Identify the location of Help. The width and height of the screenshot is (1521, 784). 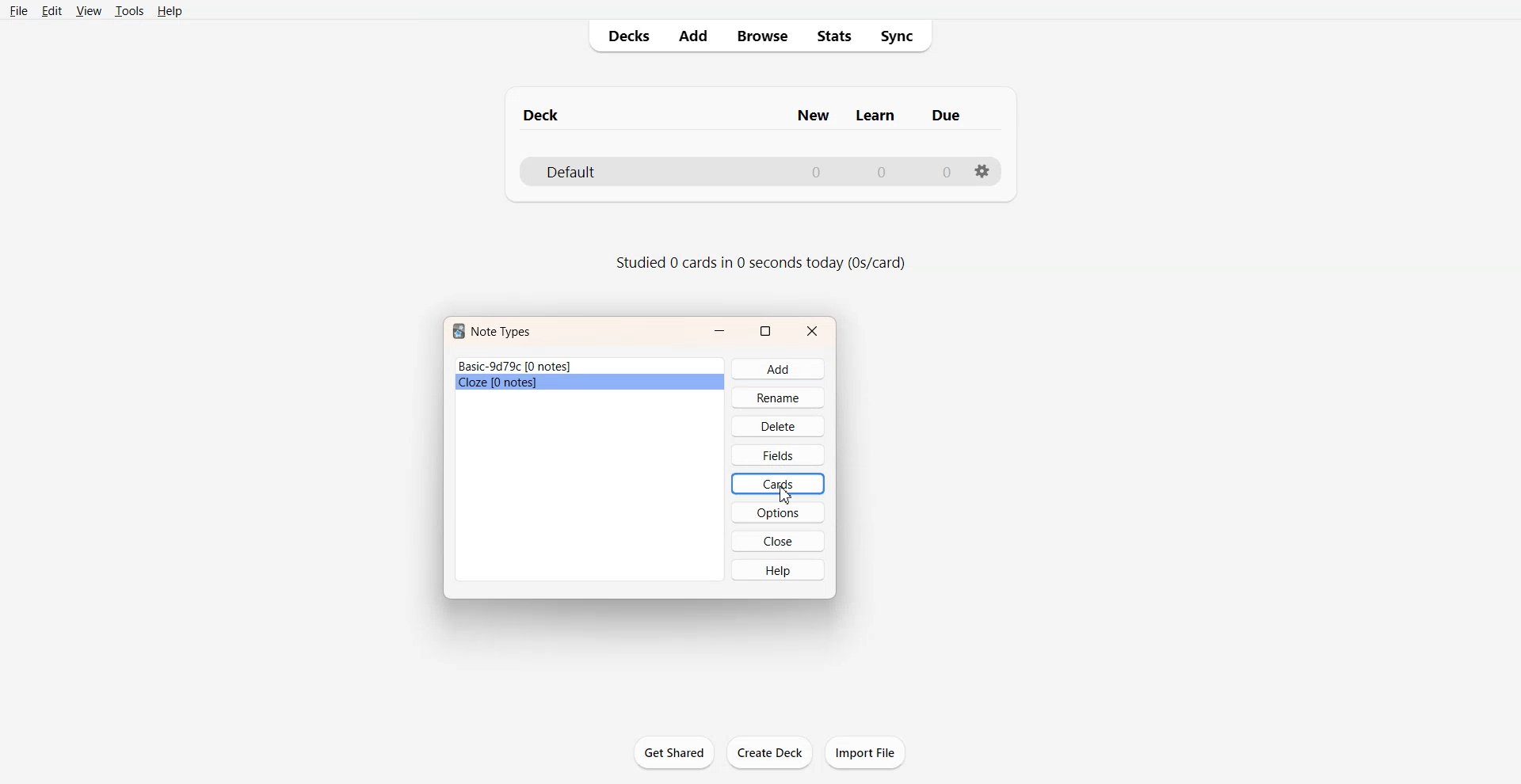
(169, 10).